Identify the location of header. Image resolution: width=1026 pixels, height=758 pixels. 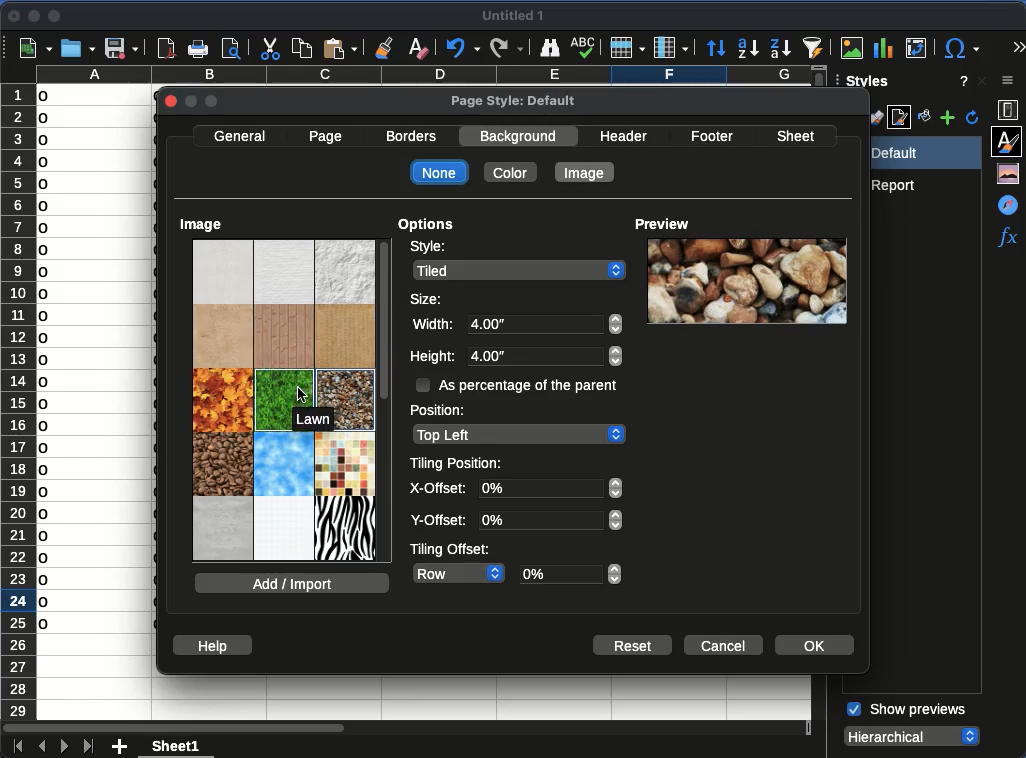
(624, 135).